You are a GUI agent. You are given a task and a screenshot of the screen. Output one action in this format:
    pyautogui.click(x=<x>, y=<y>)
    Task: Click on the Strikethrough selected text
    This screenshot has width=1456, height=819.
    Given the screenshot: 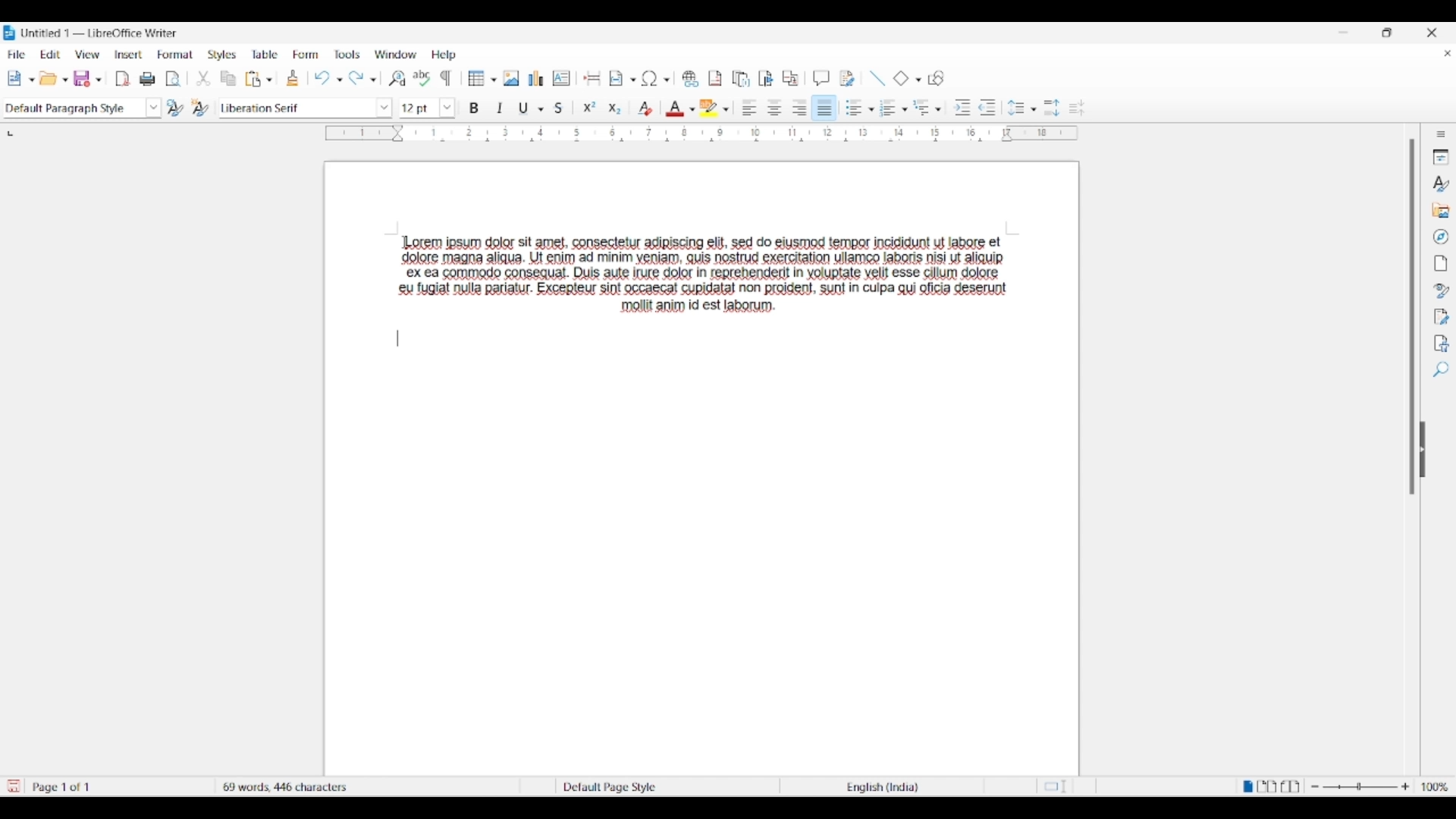 What is the action you would take?
    pyautogui.click(x=560, y=107)
    